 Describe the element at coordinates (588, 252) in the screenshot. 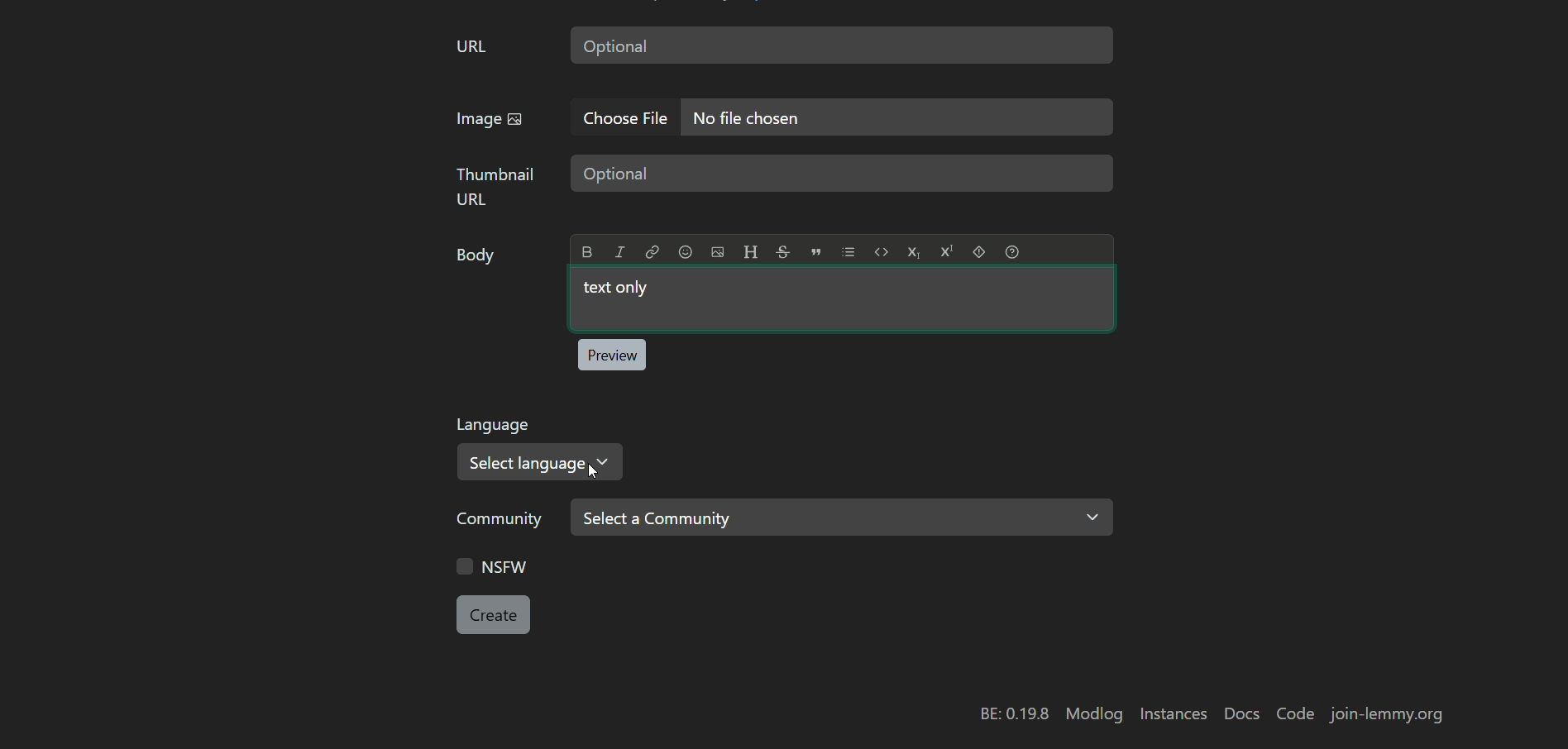

I see `Bold` at that location.